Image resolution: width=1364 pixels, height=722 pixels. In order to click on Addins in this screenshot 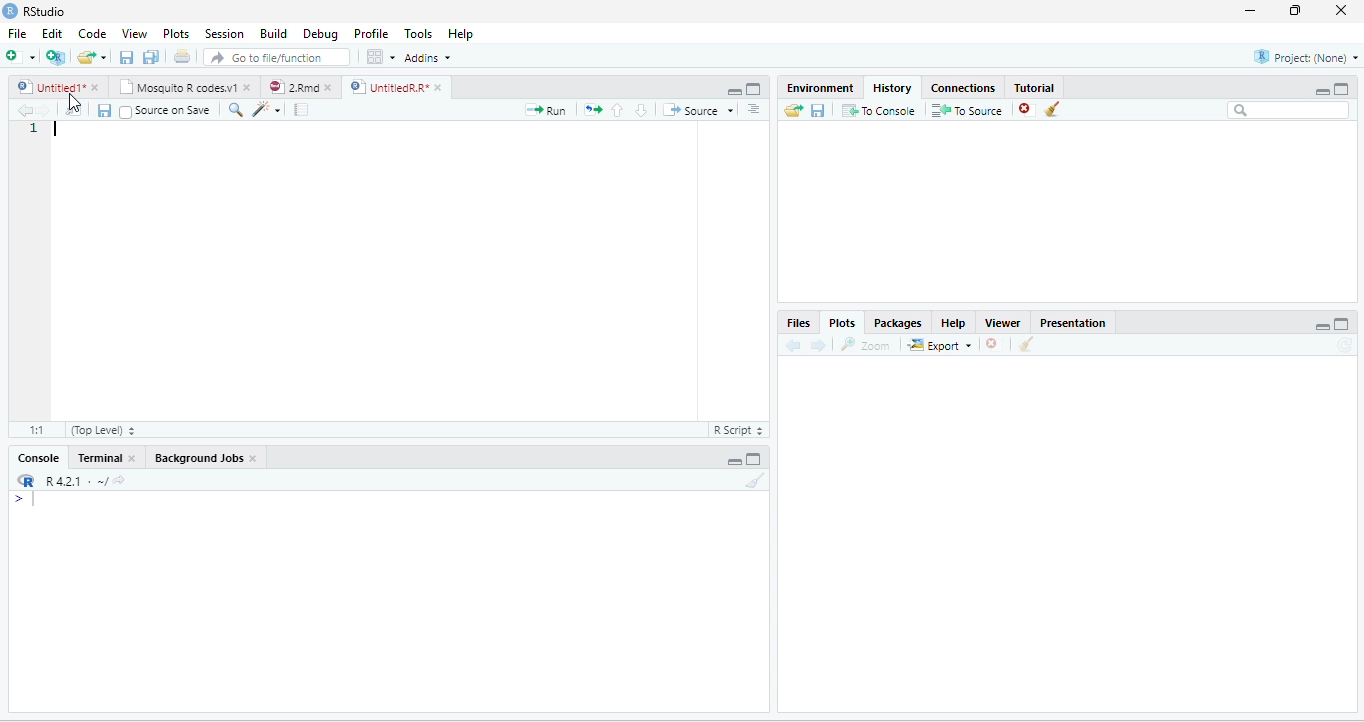, I will do `click(426, 57)`.